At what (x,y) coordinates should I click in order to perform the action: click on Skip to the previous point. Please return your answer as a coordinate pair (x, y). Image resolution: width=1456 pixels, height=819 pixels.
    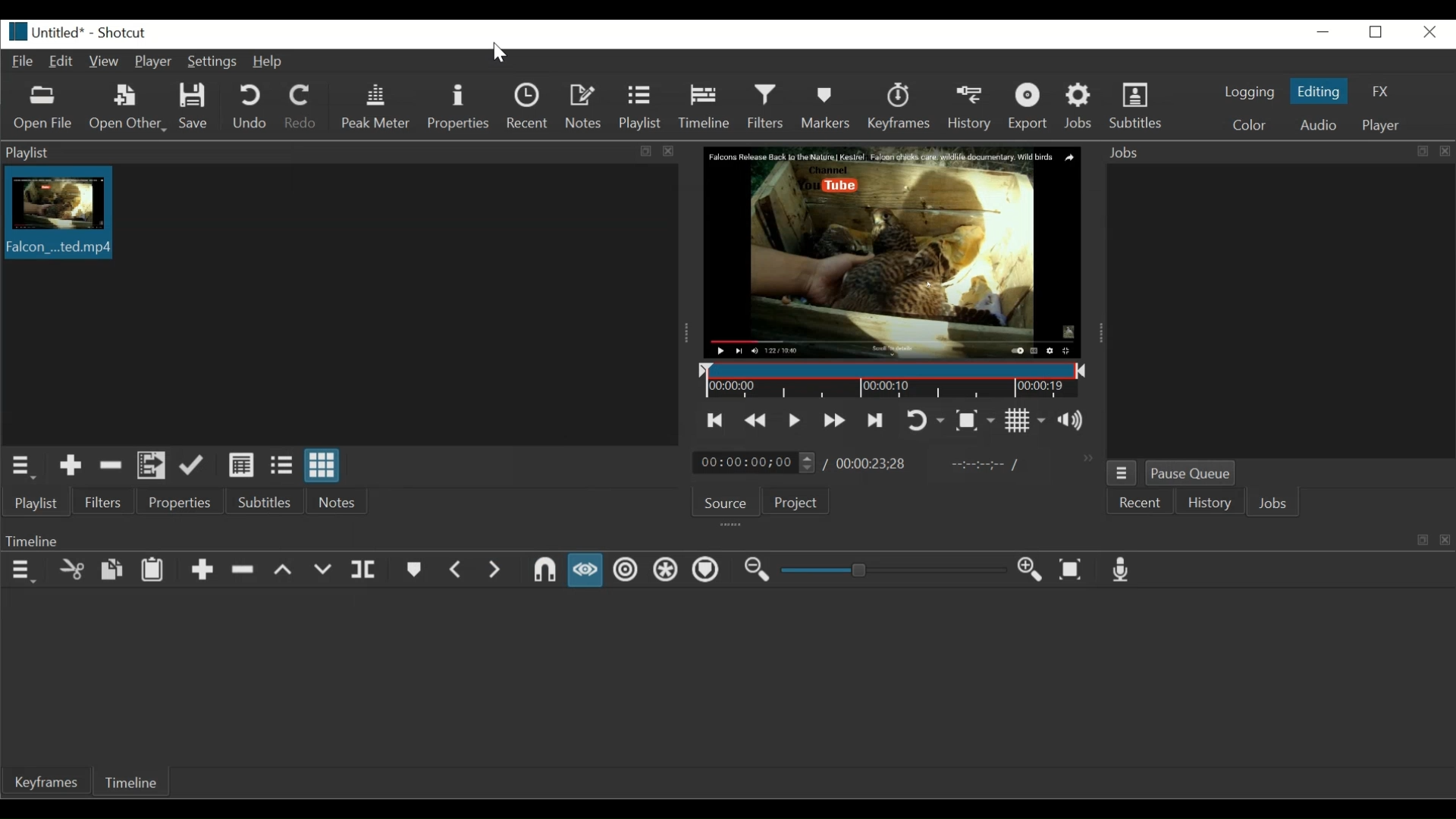
    Looking at the image, I should click on (716, 420).